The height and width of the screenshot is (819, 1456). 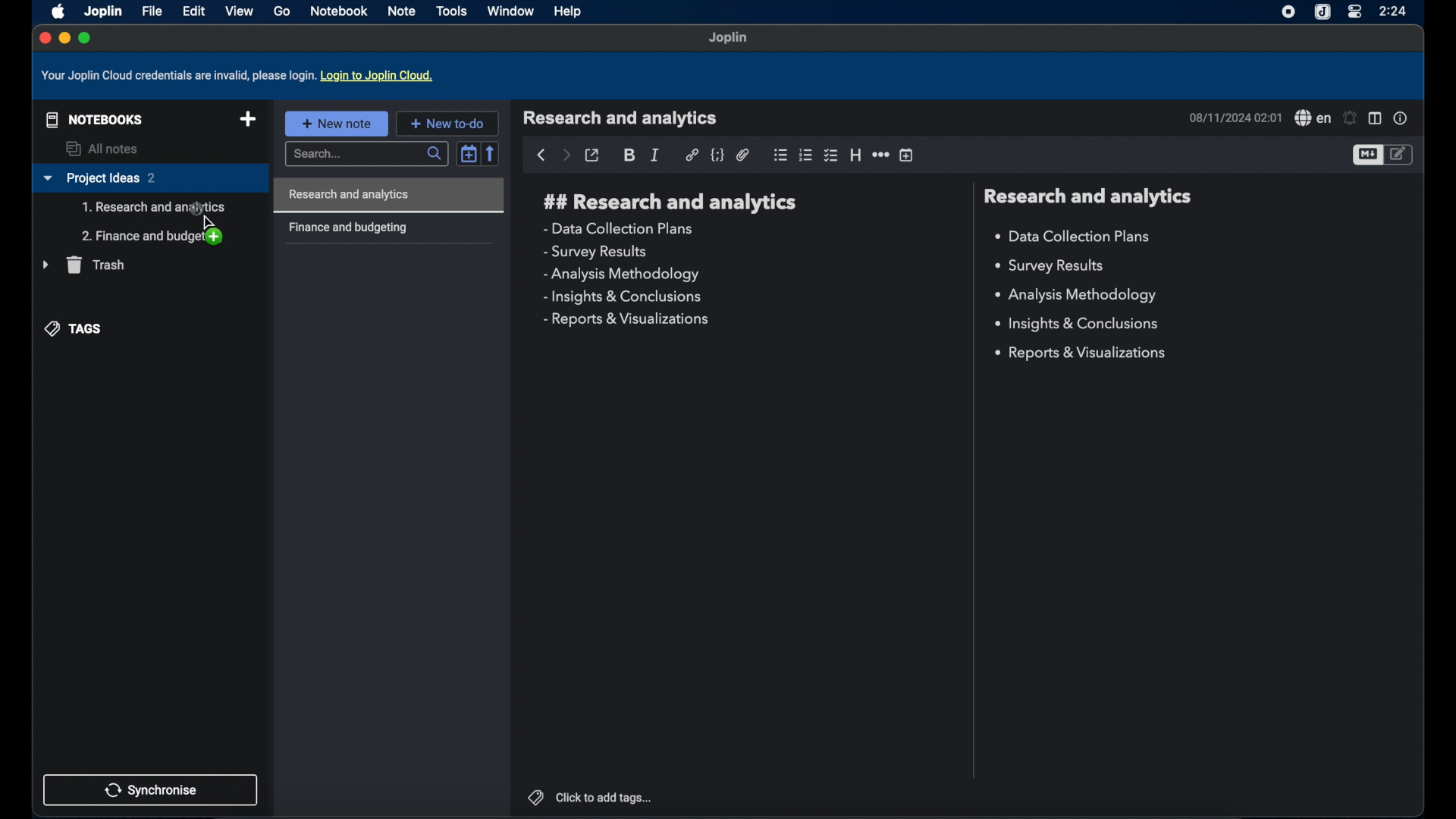 What do you see at coordinates (104, 149) in the screenshot?
I see `all notes` at bounding box center [104, 149].